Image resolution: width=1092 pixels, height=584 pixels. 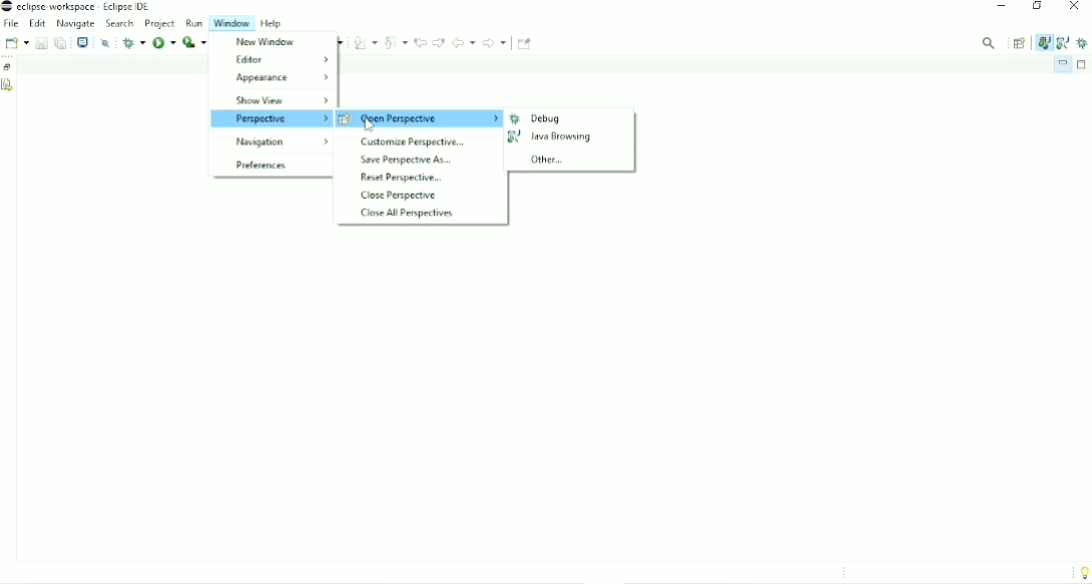 I want to click on Next edit location, so click(x=438, y=42).